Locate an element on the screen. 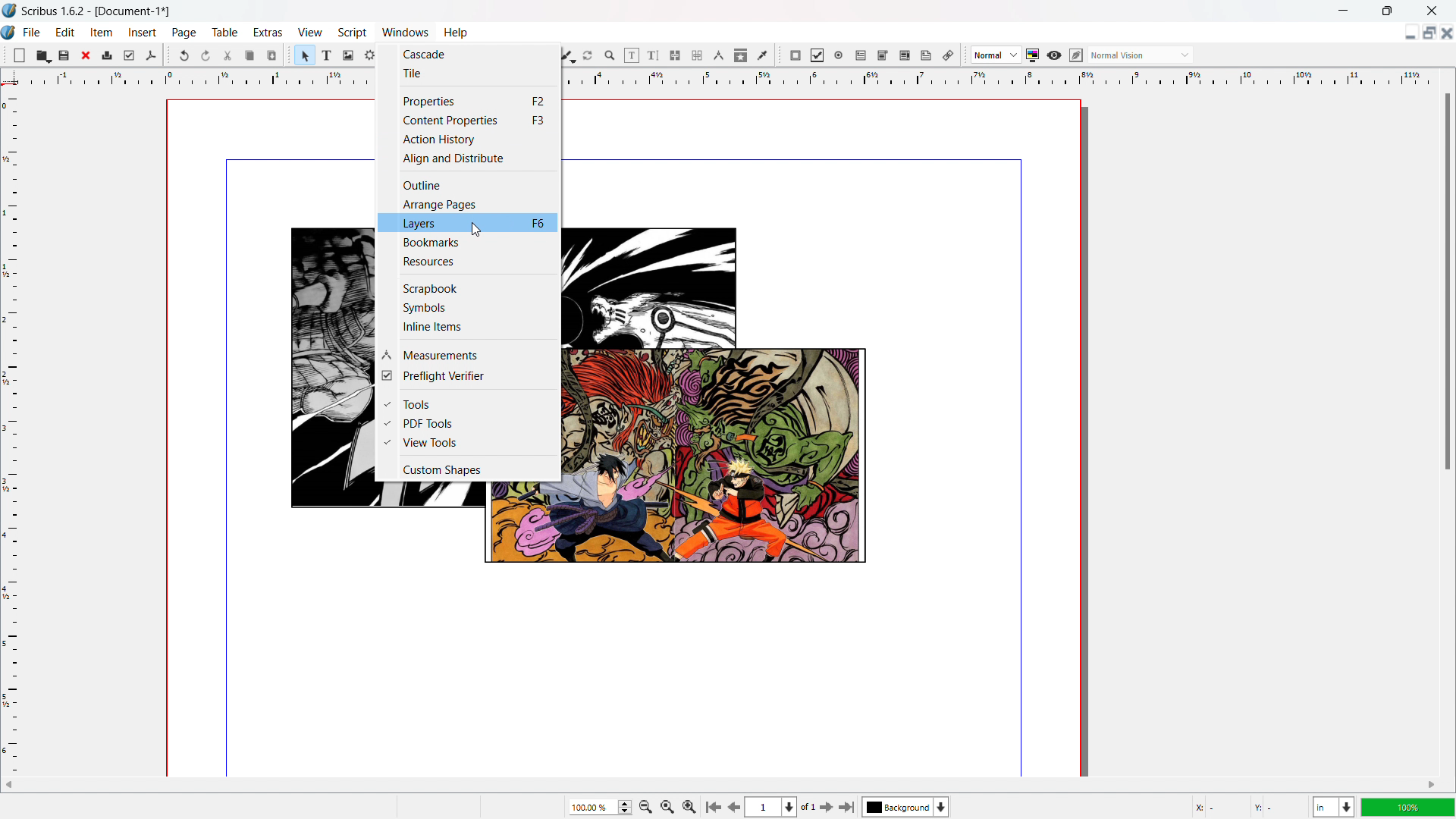  text frame is located at coordinates (328, 55).